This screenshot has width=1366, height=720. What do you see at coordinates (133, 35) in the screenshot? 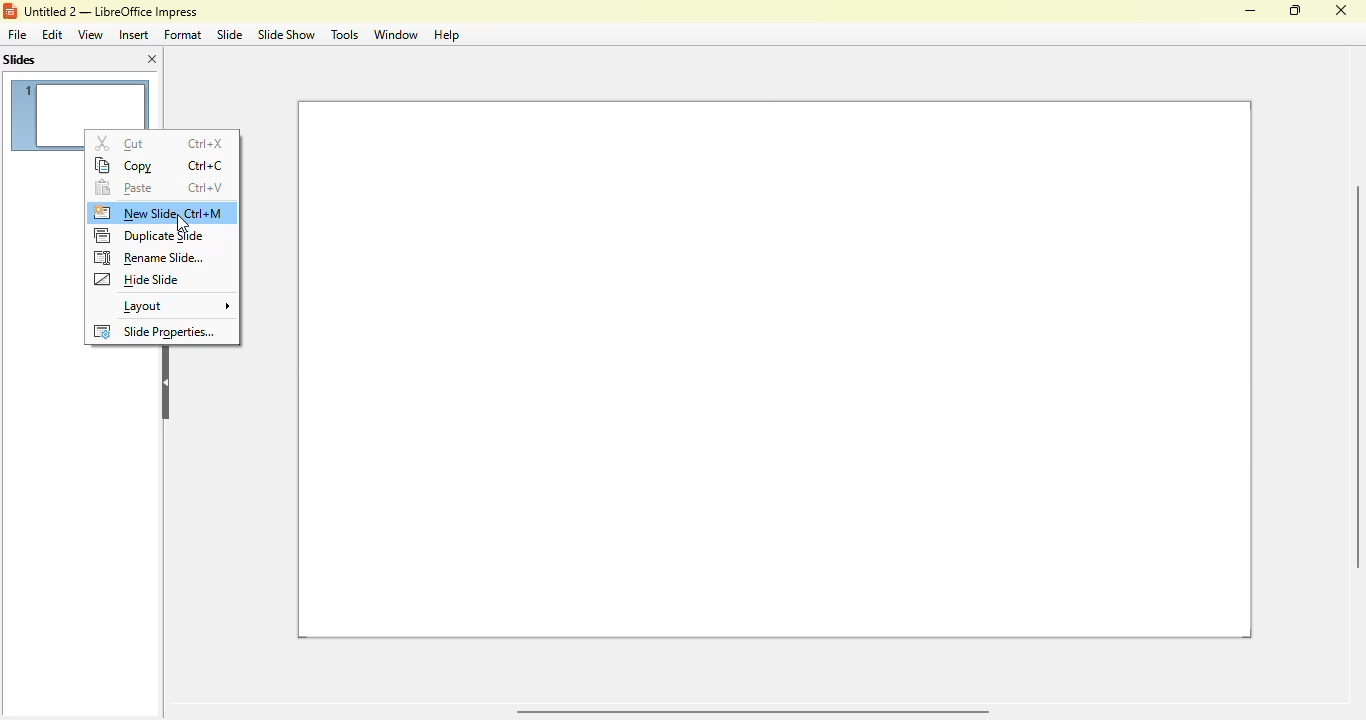
I see `insert` at bounding box center [133, 35].